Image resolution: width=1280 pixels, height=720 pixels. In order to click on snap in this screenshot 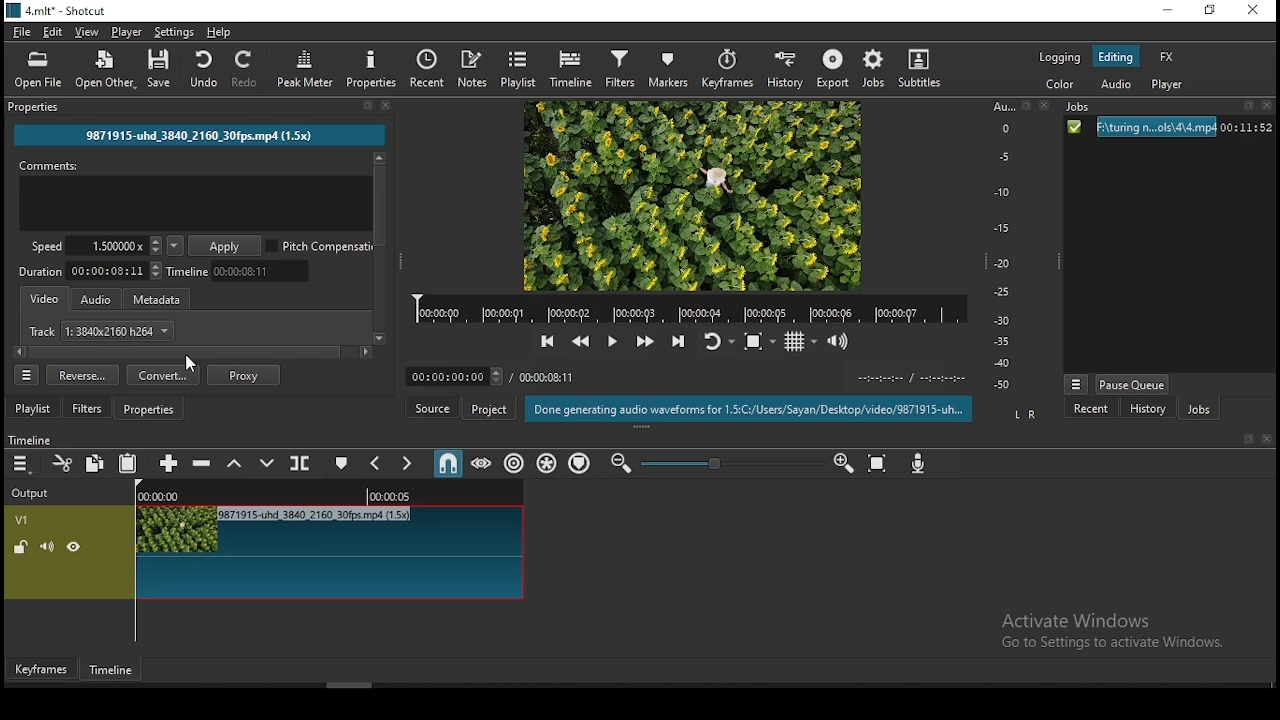, I will do `click(445, 465)`.